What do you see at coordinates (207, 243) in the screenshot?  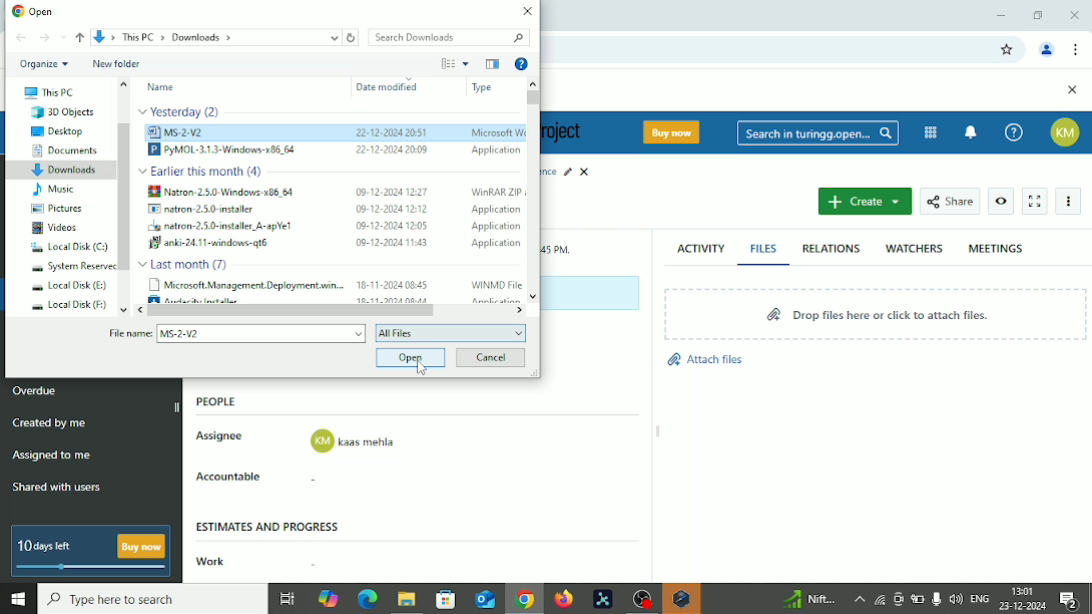 I see `f anki-24.11-windows-qt6` at bounding box center [207, 243].